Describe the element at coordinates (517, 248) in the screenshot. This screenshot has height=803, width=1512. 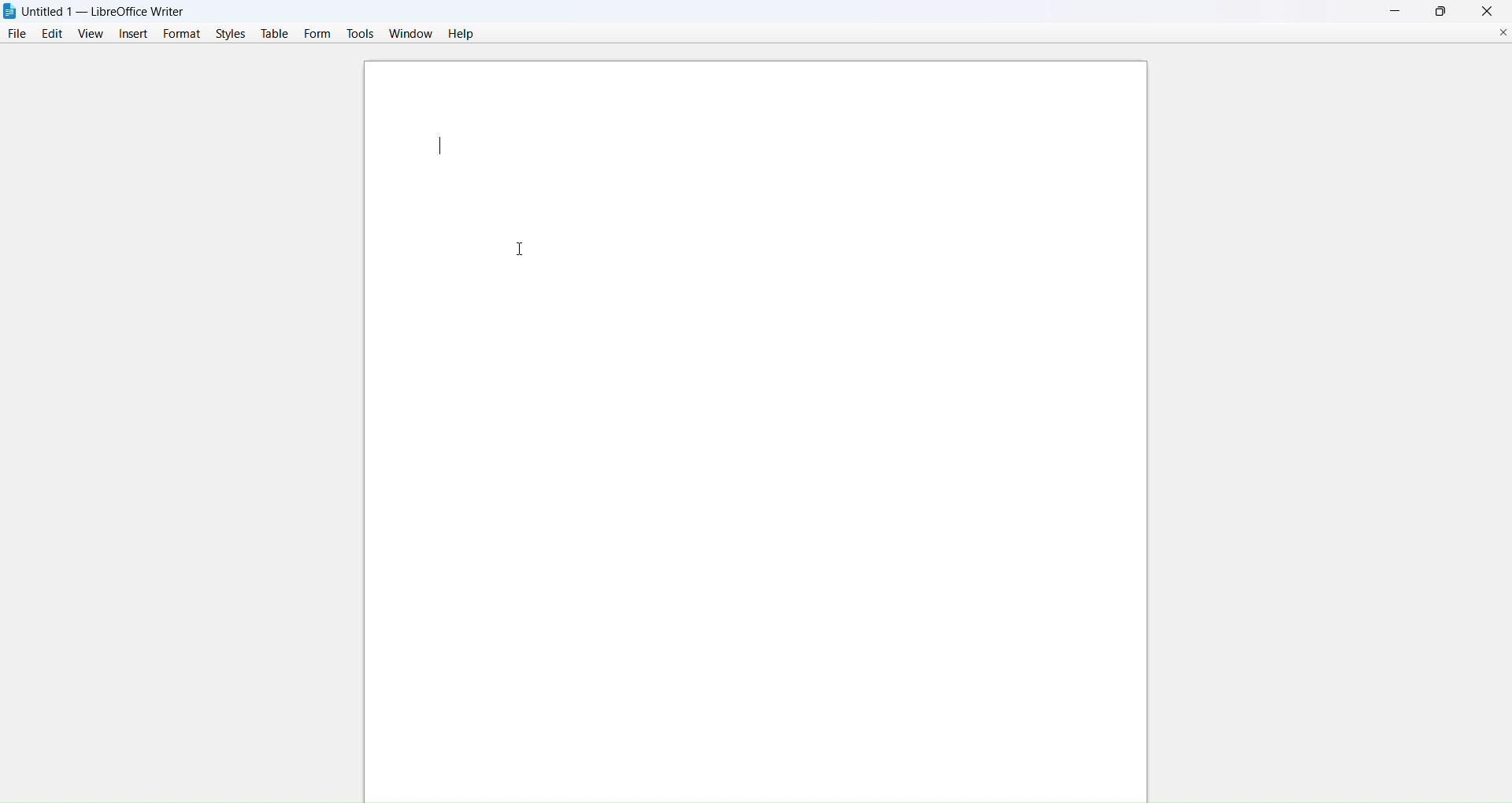
I see `cursor` at that location.